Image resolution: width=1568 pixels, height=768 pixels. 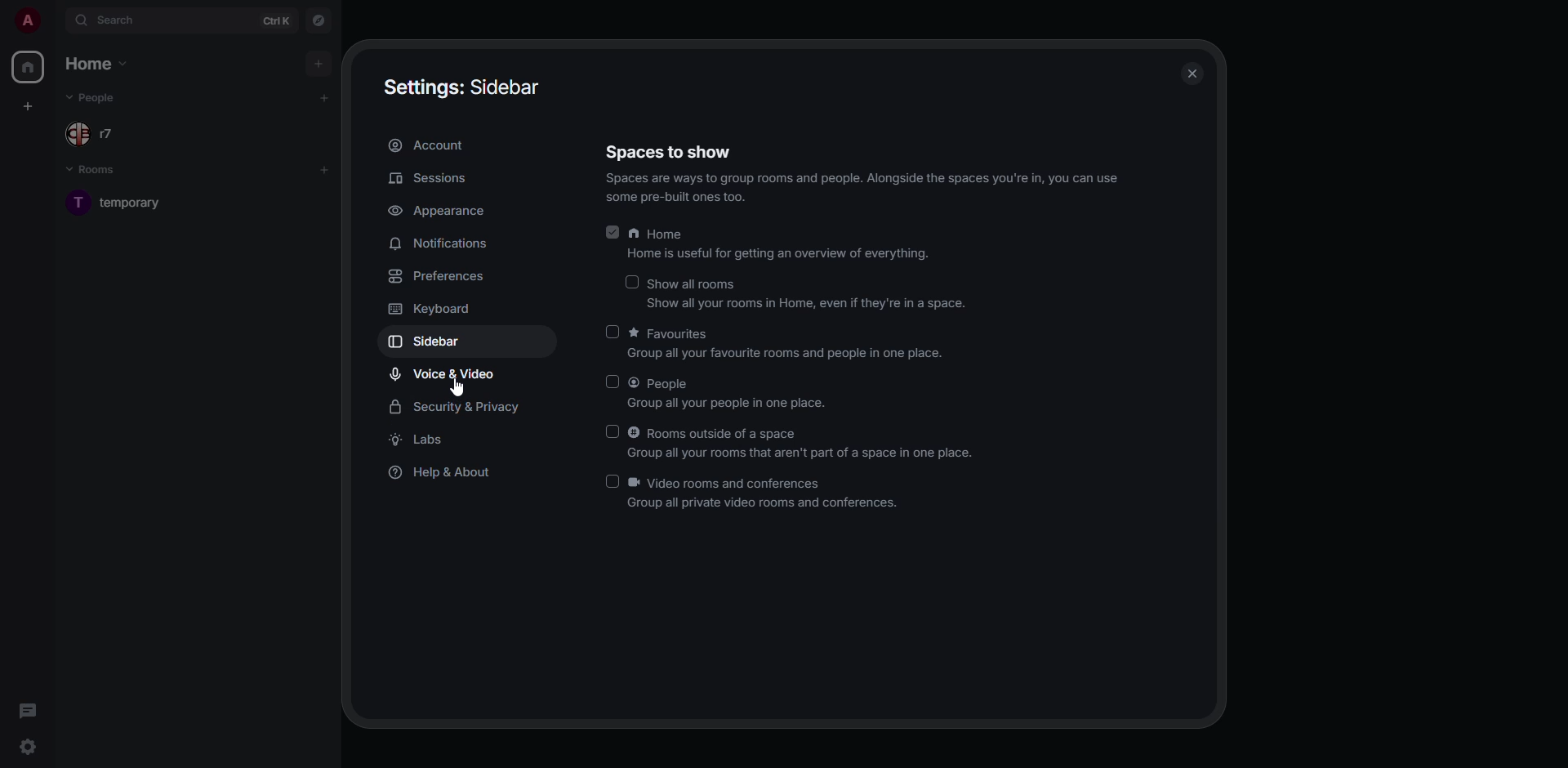 I want to click on Home is useful for getting an overview of everything, so click(x=776, y=256).